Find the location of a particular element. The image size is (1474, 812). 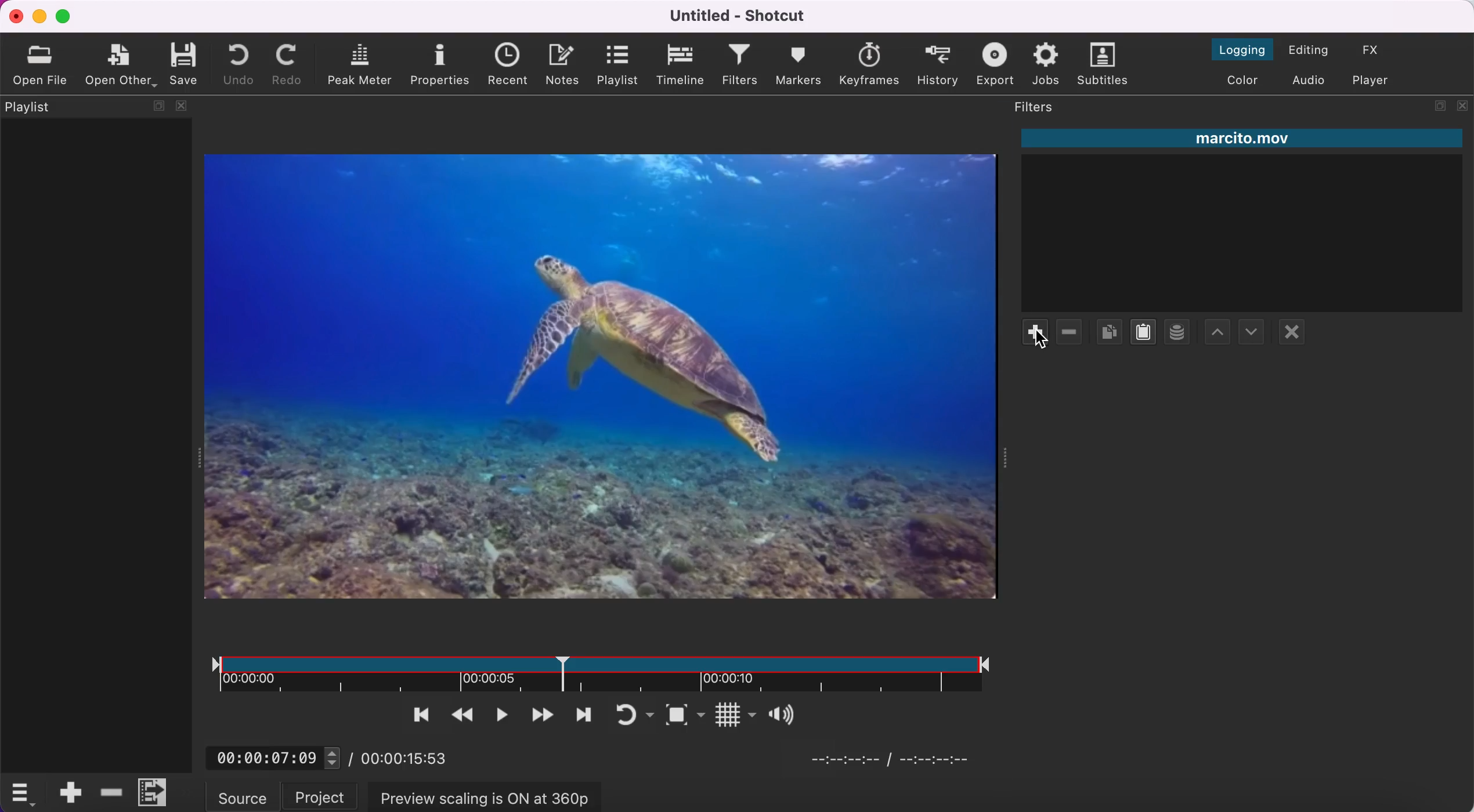

marcito.mov is located at coordinates (1240, 139).